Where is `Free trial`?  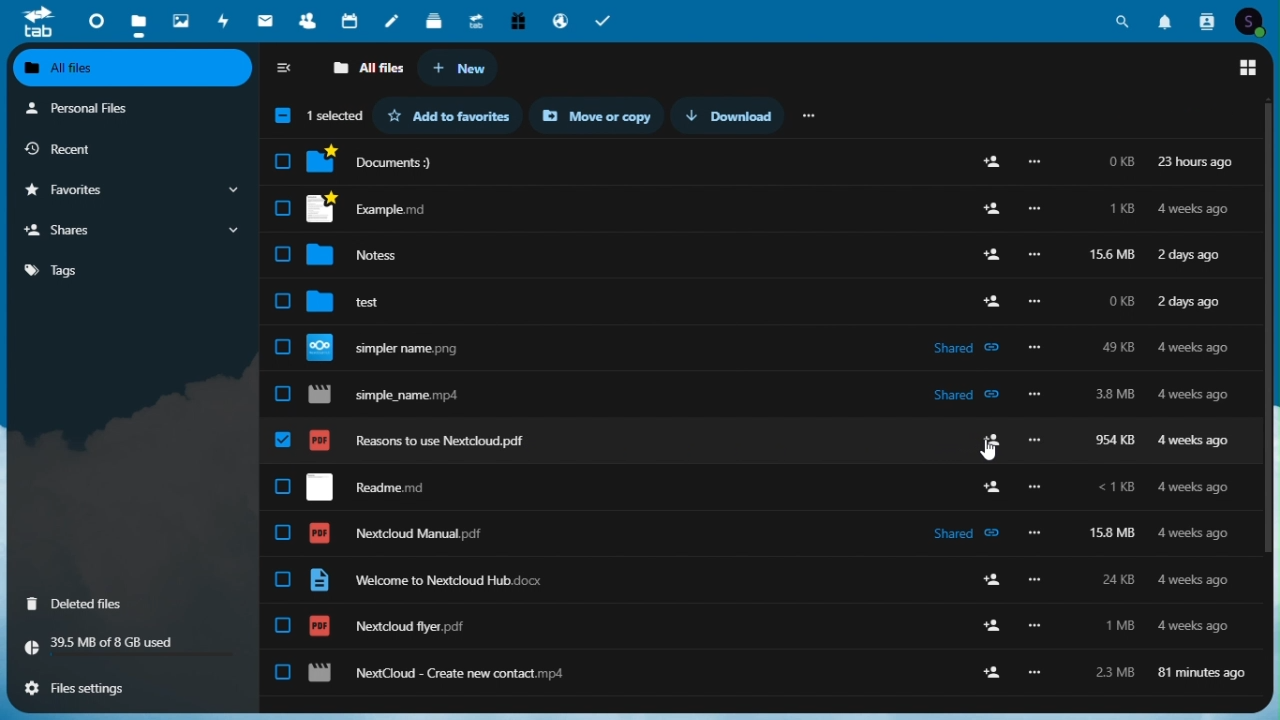 Free trial is located at coordinates (518, 22).